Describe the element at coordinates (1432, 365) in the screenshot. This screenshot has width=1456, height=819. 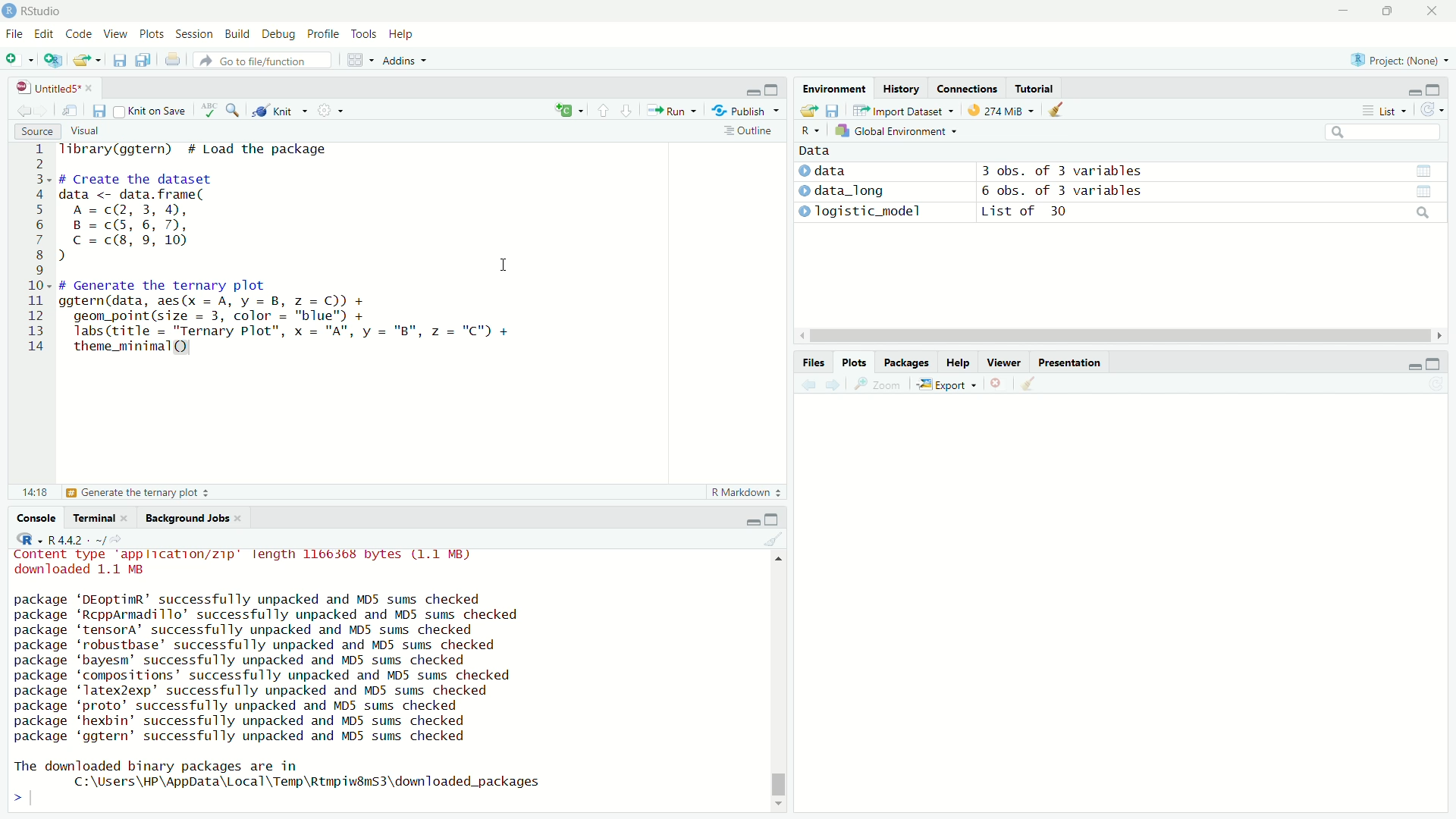
I see `maximise` at that location.